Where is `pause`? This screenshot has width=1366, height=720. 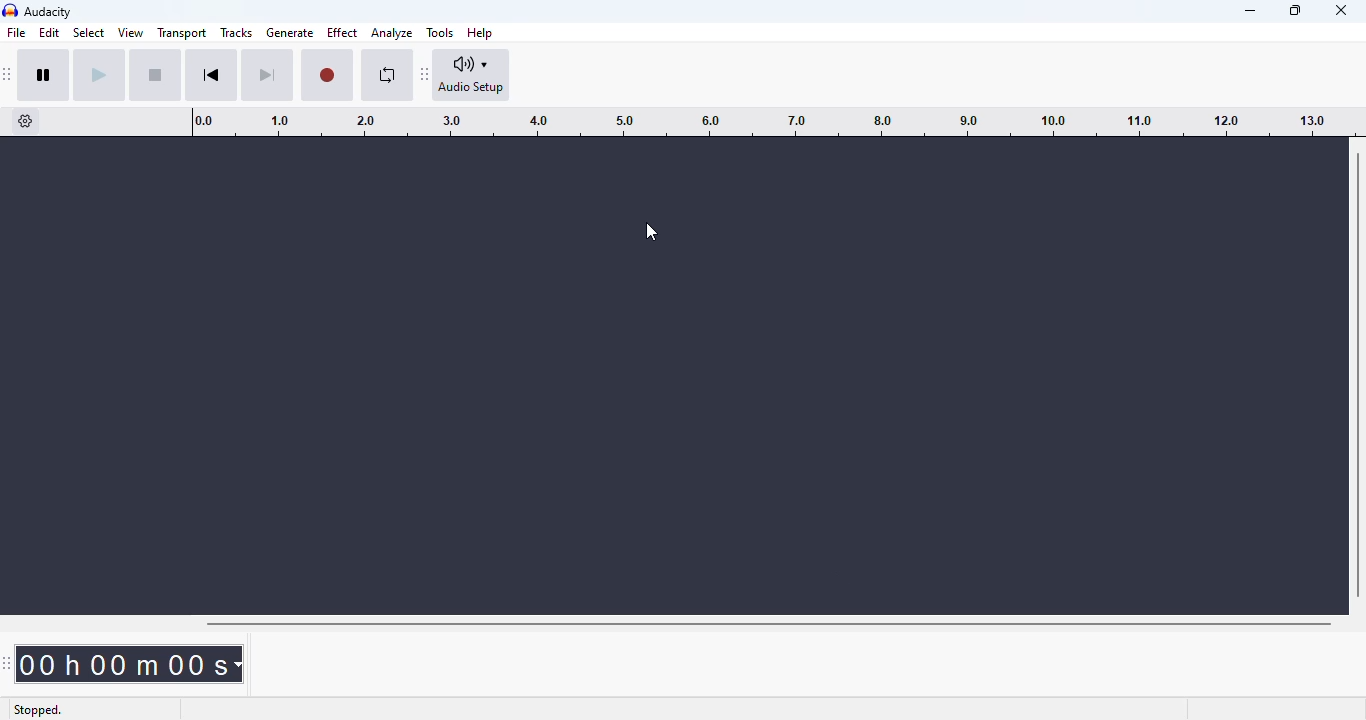
pause is located at coordinates (44, 75).